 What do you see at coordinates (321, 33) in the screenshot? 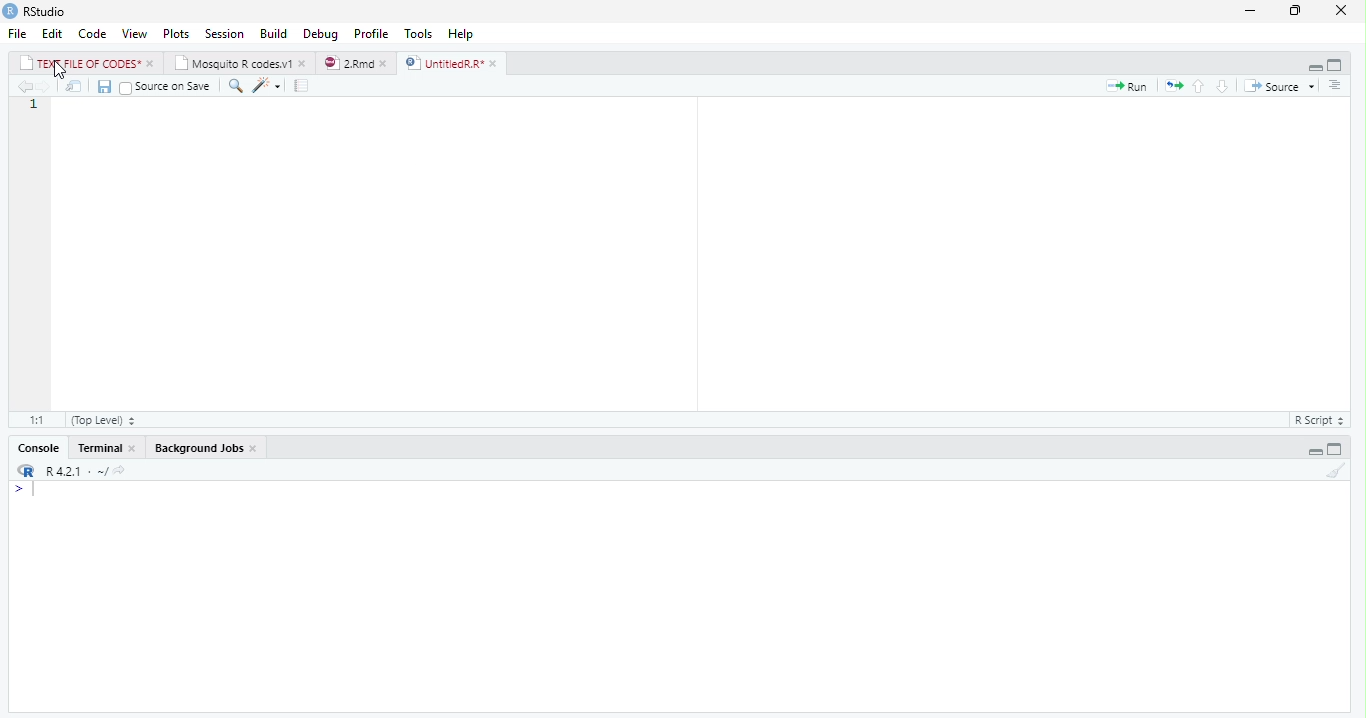
I see `Debug` at bounding box center [321, 33].